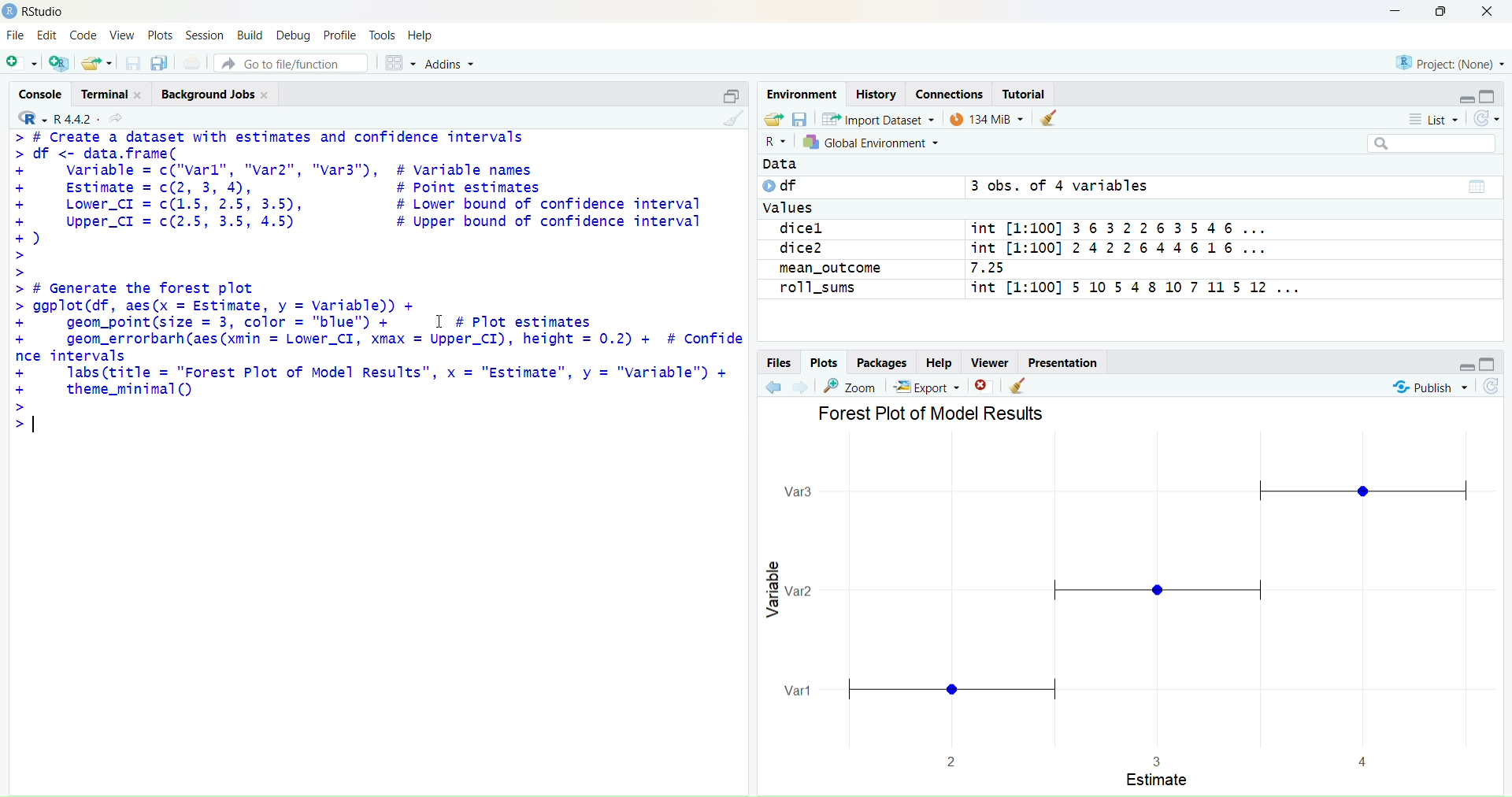 The width and height of the screenshot is (1512, 797). Describe the element at coordinates (1463, 98) in the screenshot. I see `minimize` at that location.